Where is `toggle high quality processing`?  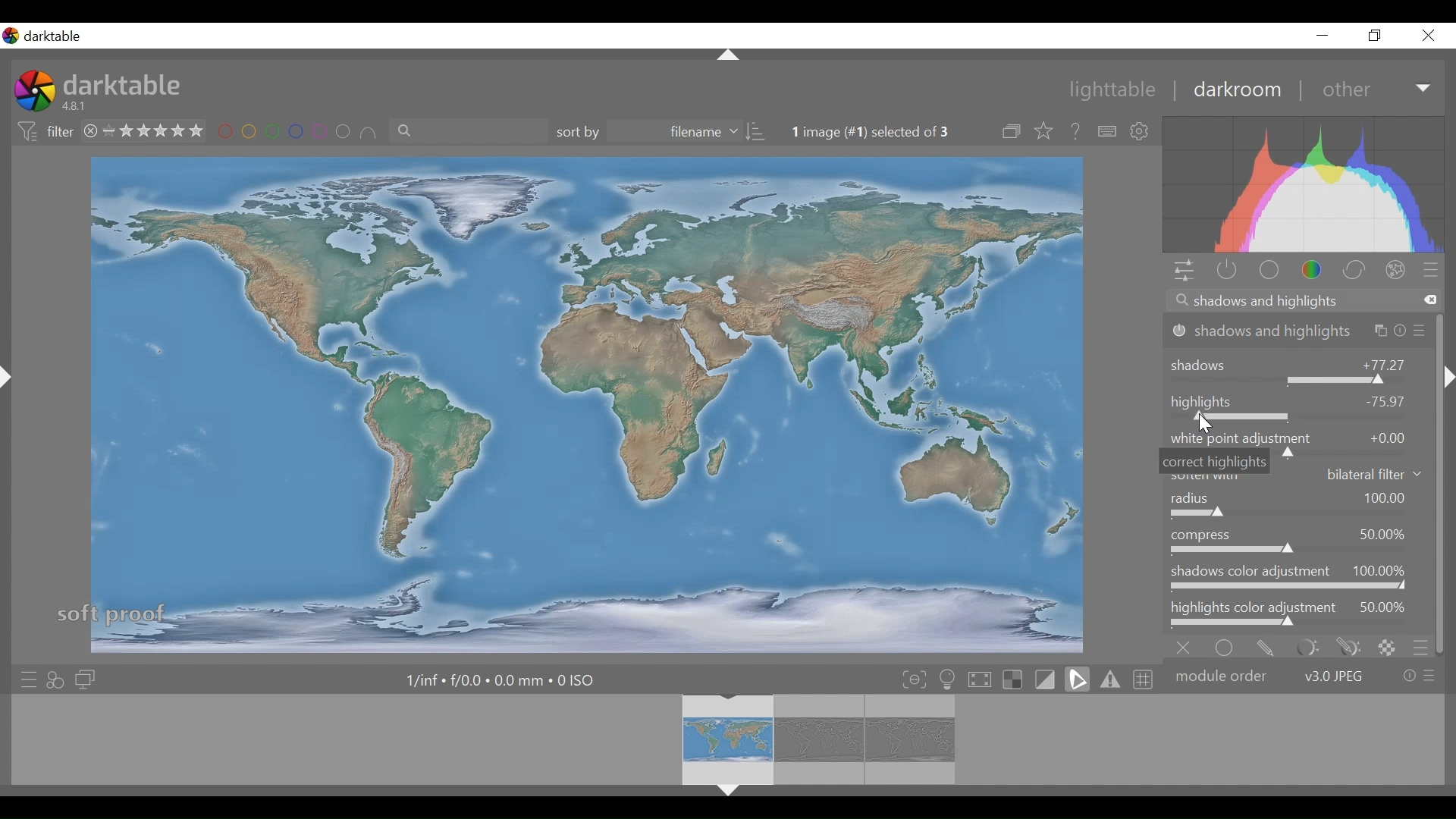 toggle high quality processing is located at coordinates (981, 680).